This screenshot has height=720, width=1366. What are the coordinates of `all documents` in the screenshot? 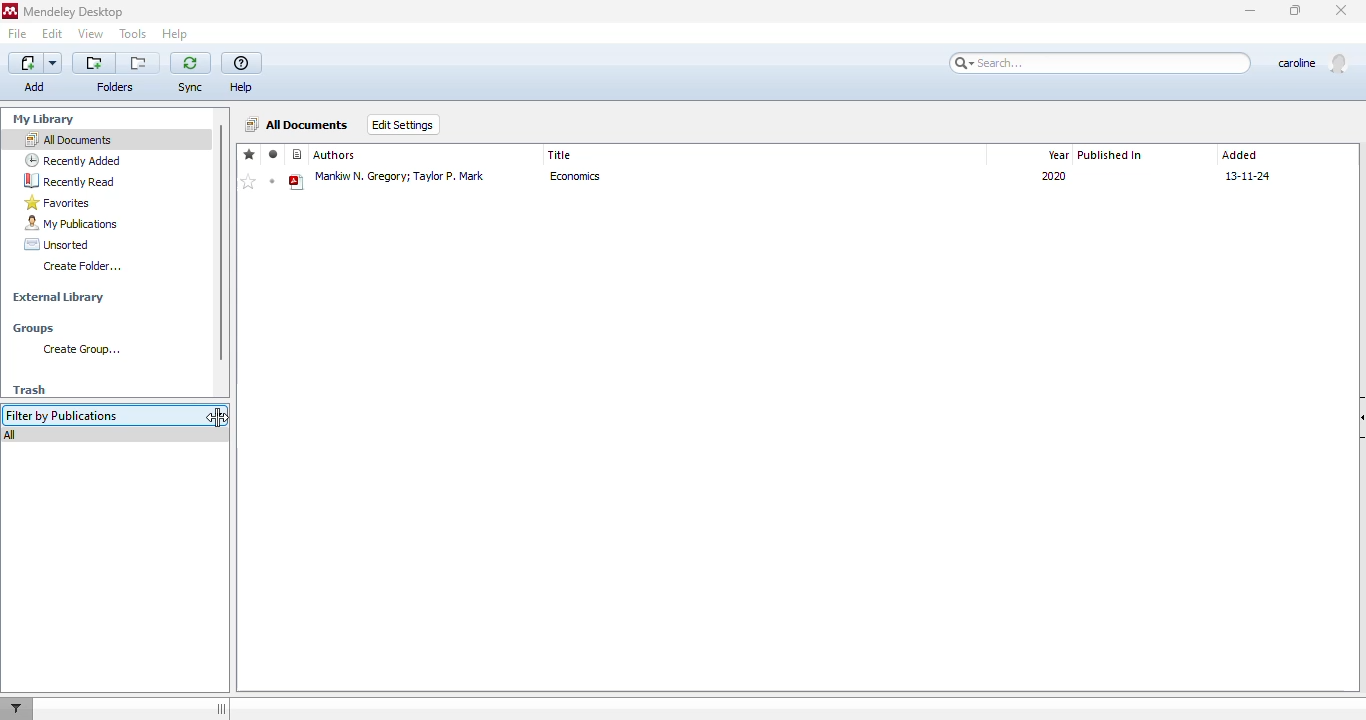 It's located at (68, 139).